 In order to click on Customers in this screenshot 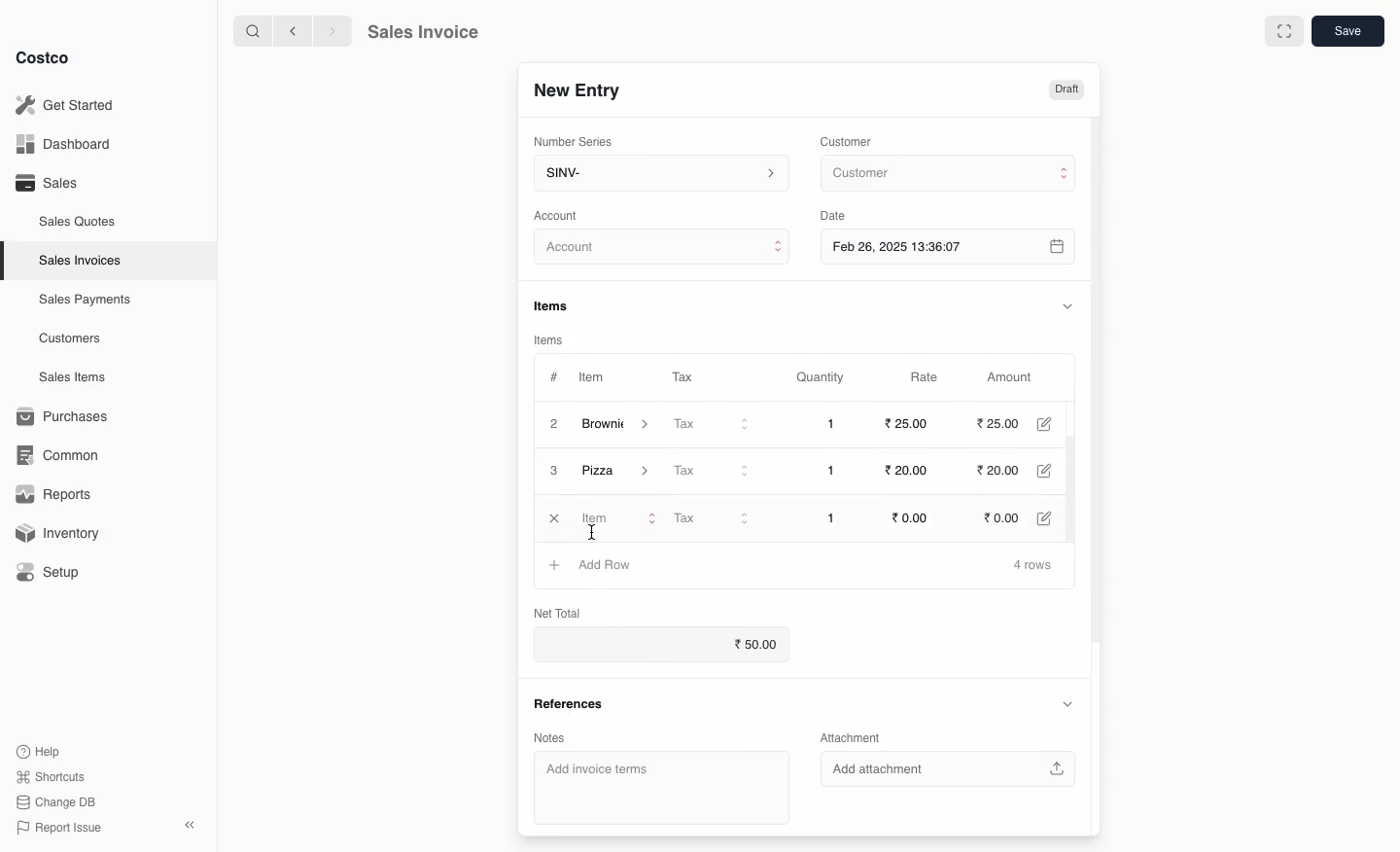, I will do `click(70, 337)`.